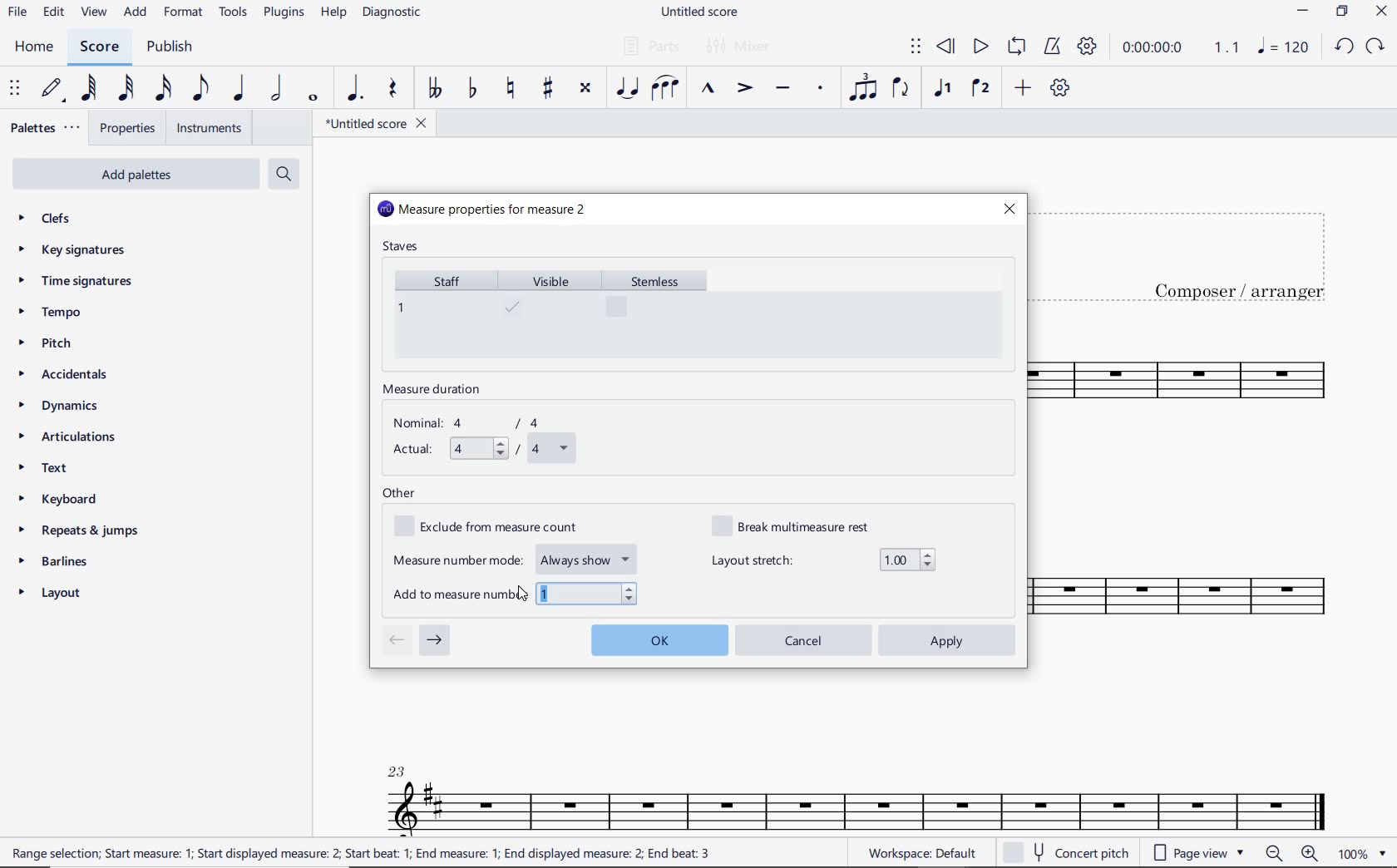 The image size is (1397, 868). What do you see at coordinates (1181, 49) in the screenshot?
I see `PLAY SPEED` at bounding box center [1181, 49].